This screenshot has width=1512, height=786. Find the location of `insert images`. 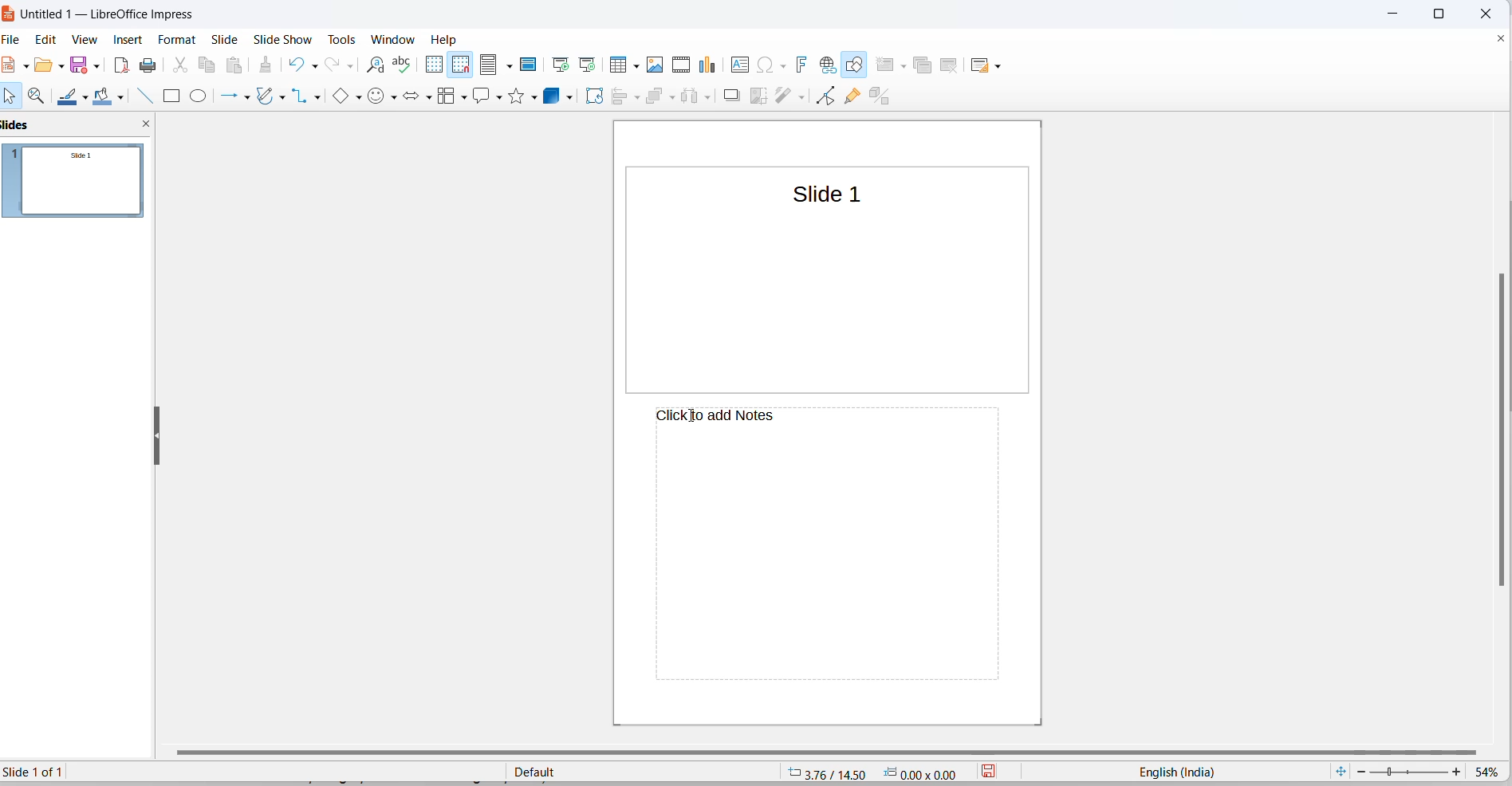

insert images is located at coordinates (657, 66).